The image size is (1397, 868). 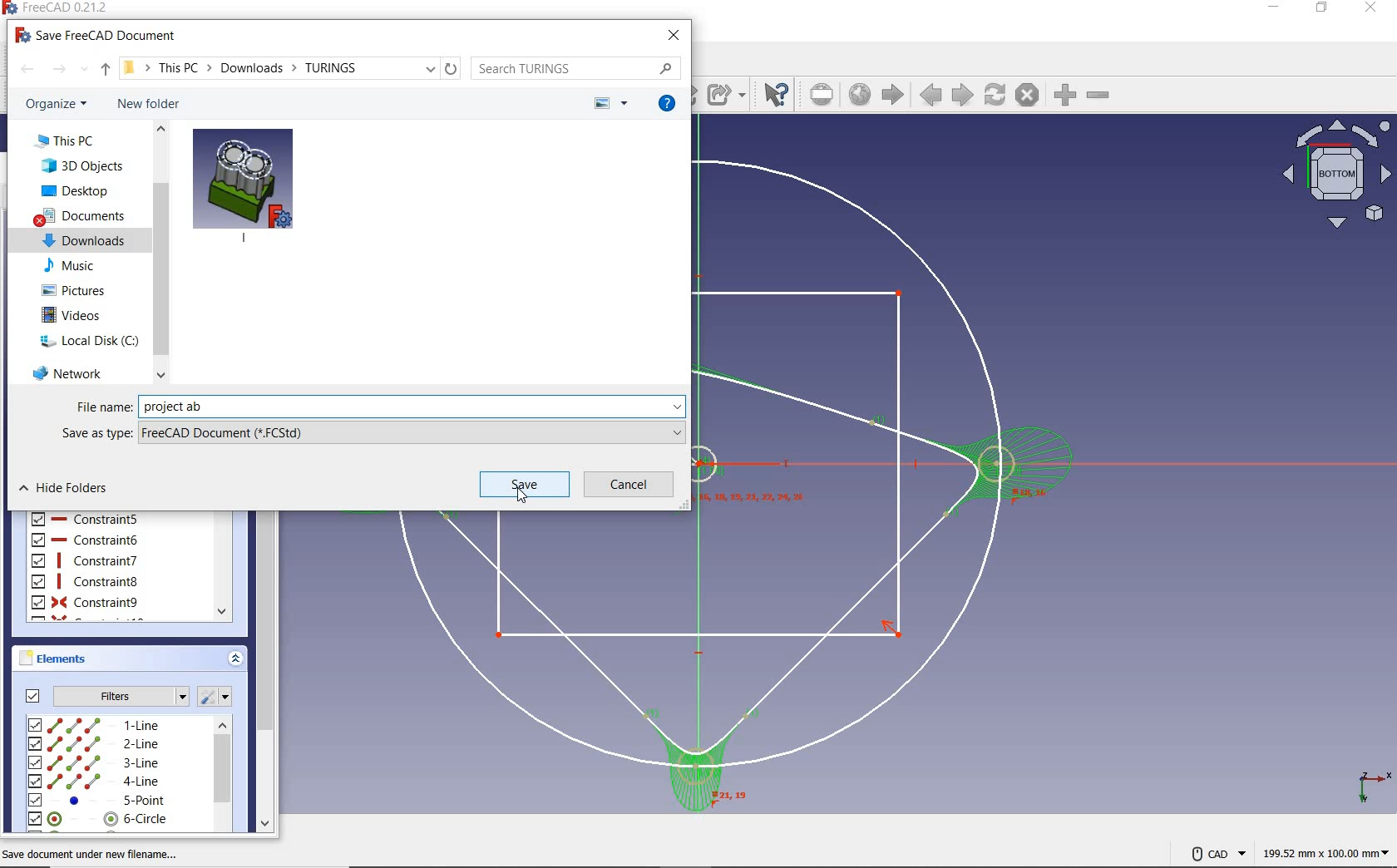 What do you see at coordinates (86, 603) in the screenshot?
I see `constraint9` at bounding box center [86, 603].